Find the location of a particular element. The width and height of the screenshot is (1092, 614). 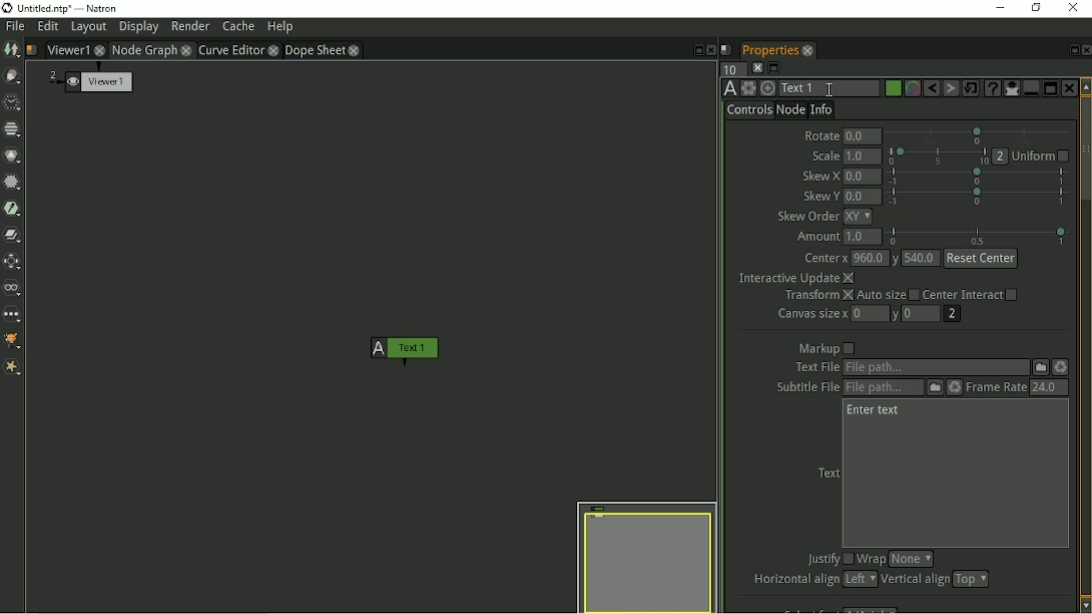

close is located at coordinates (100, 49).